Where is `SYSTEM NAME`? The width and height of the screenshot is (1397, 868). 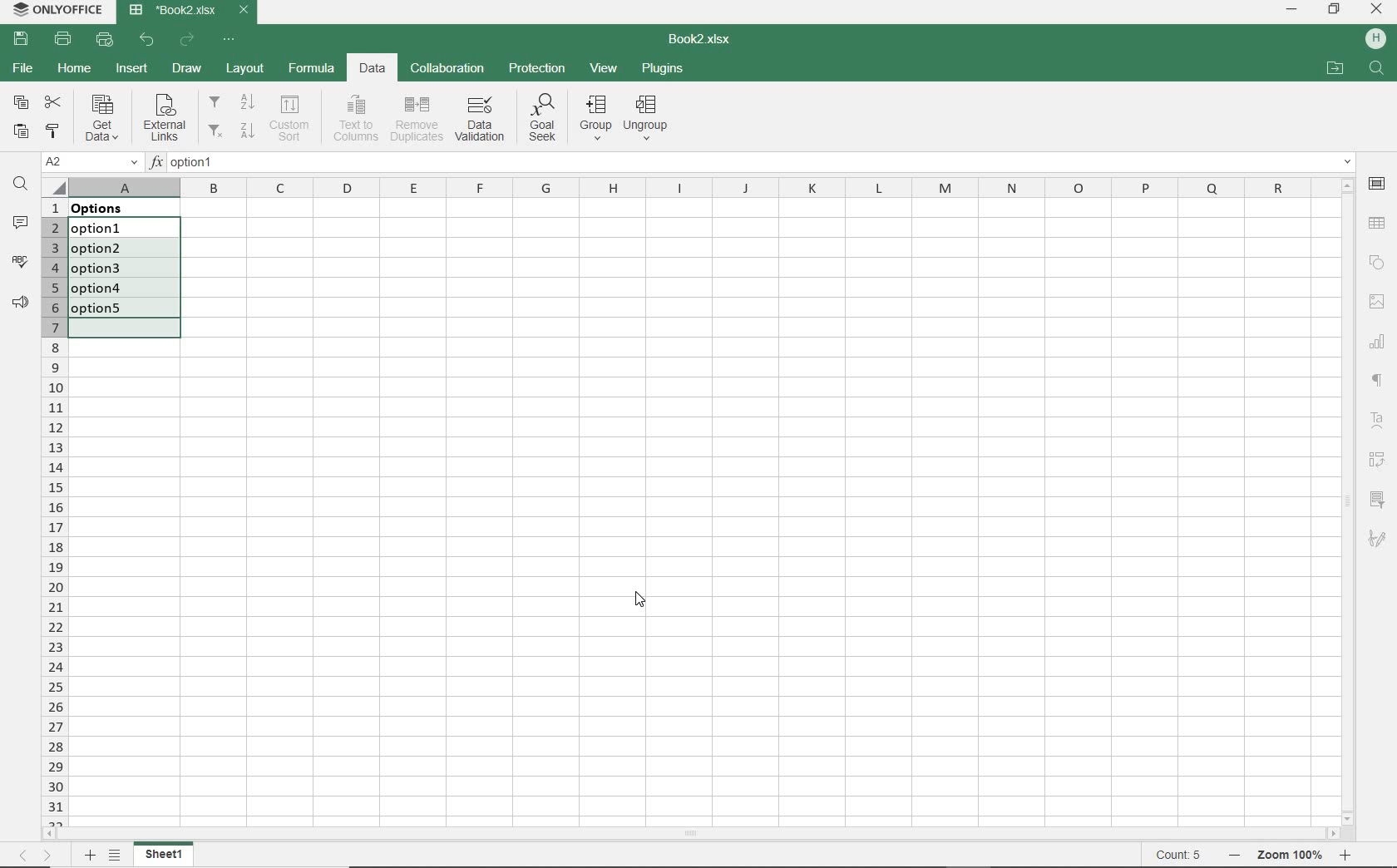 SYSTEM NAME is located at coordinates (60, 10).